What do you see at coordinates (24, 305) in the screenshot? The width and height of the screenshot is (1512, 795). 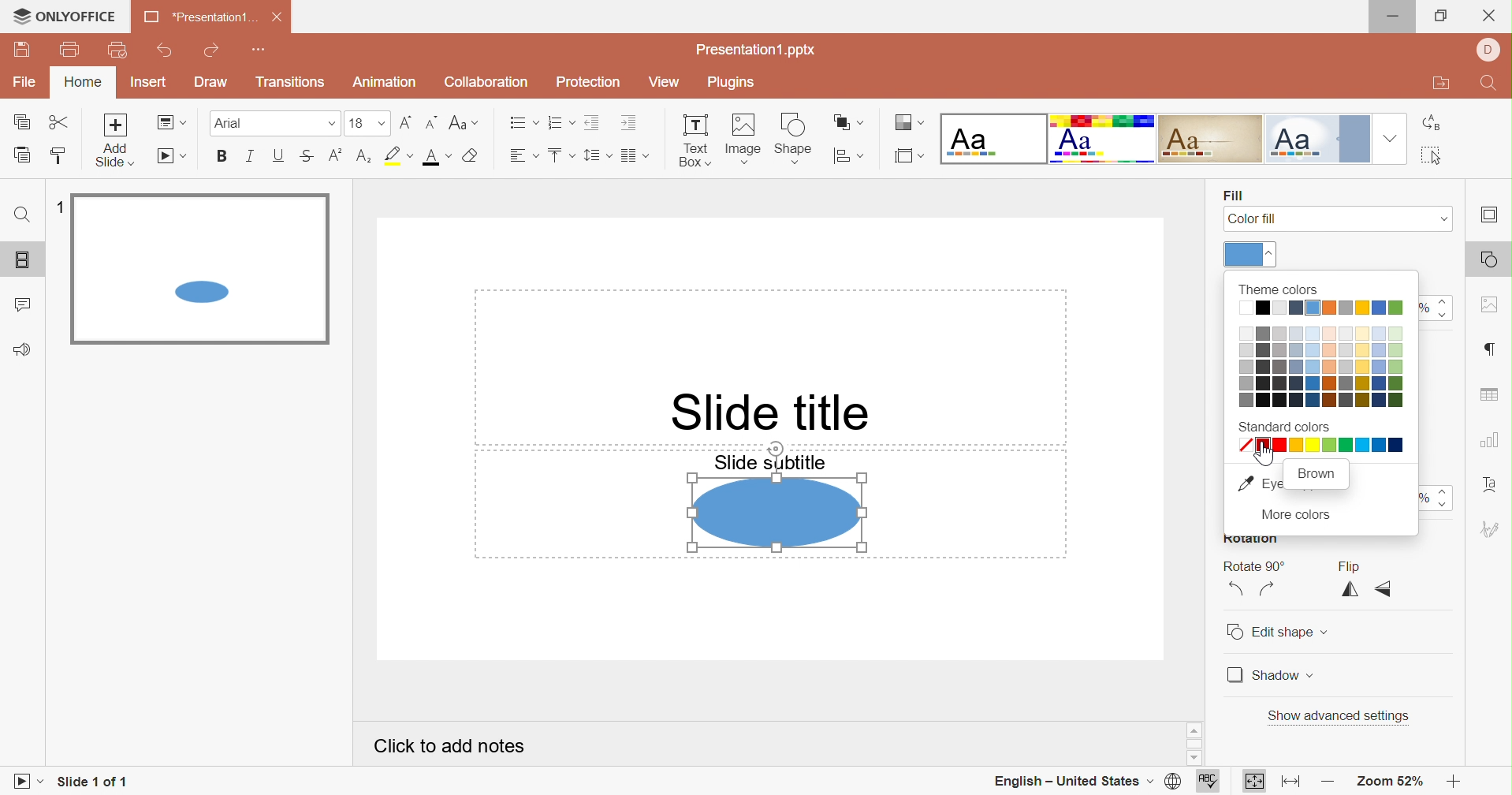 I see `Comments` at bounding box center [24, 305].